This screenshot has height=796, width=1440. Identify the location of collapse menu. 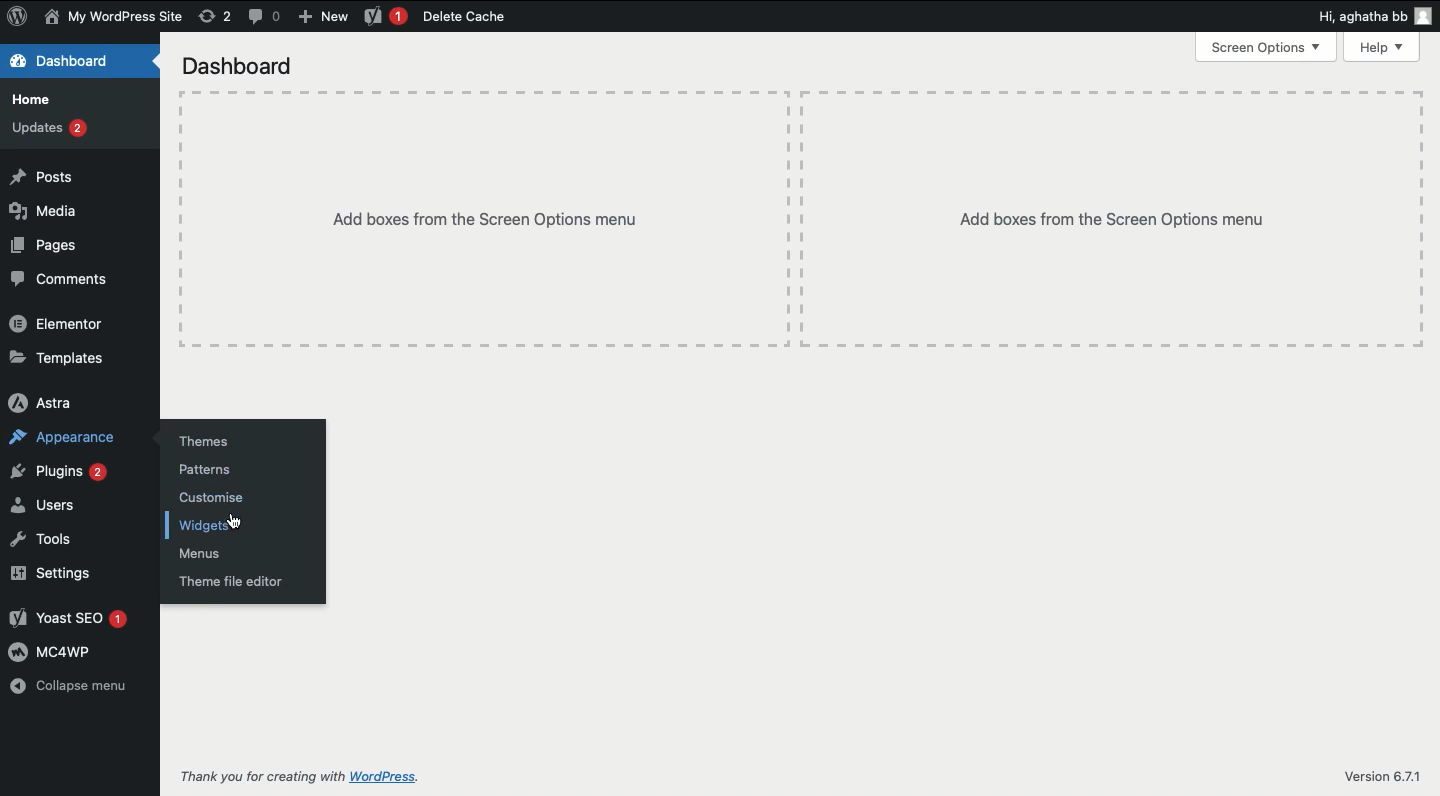
(78, 689).